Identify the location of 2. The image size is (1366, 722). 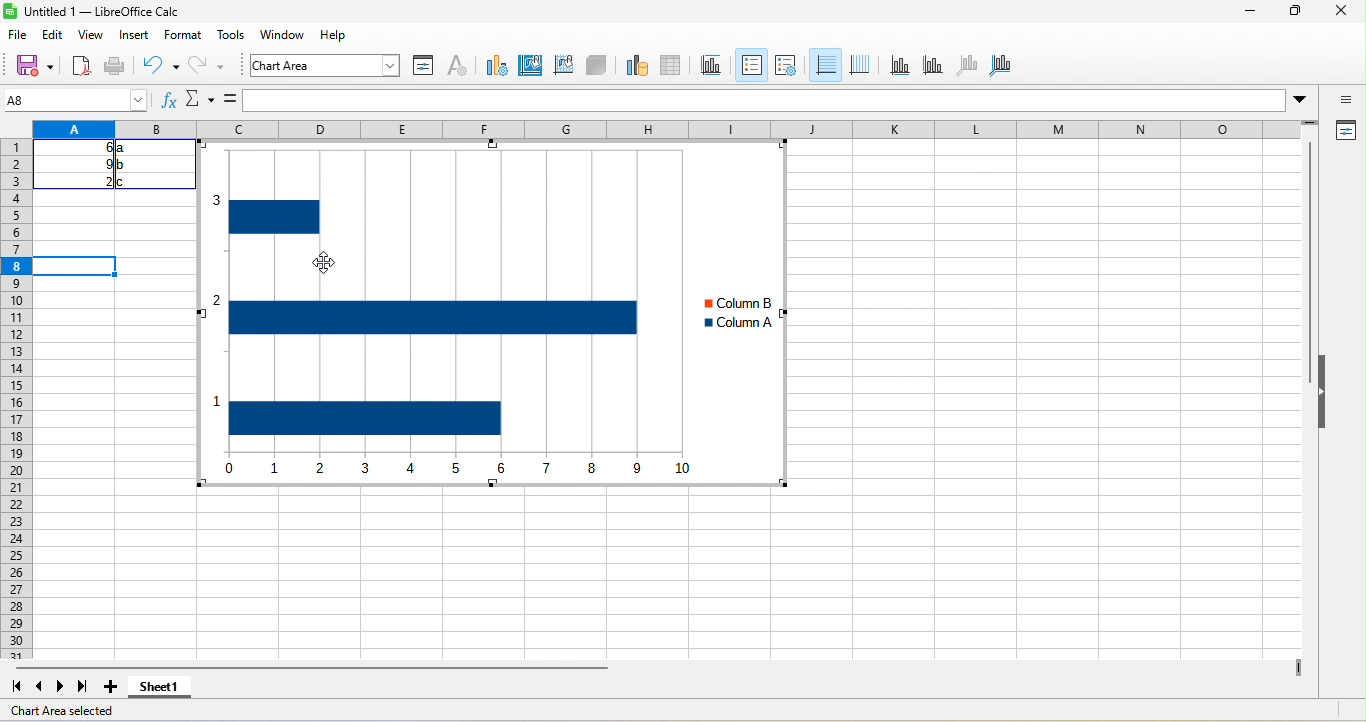
(98, 181).